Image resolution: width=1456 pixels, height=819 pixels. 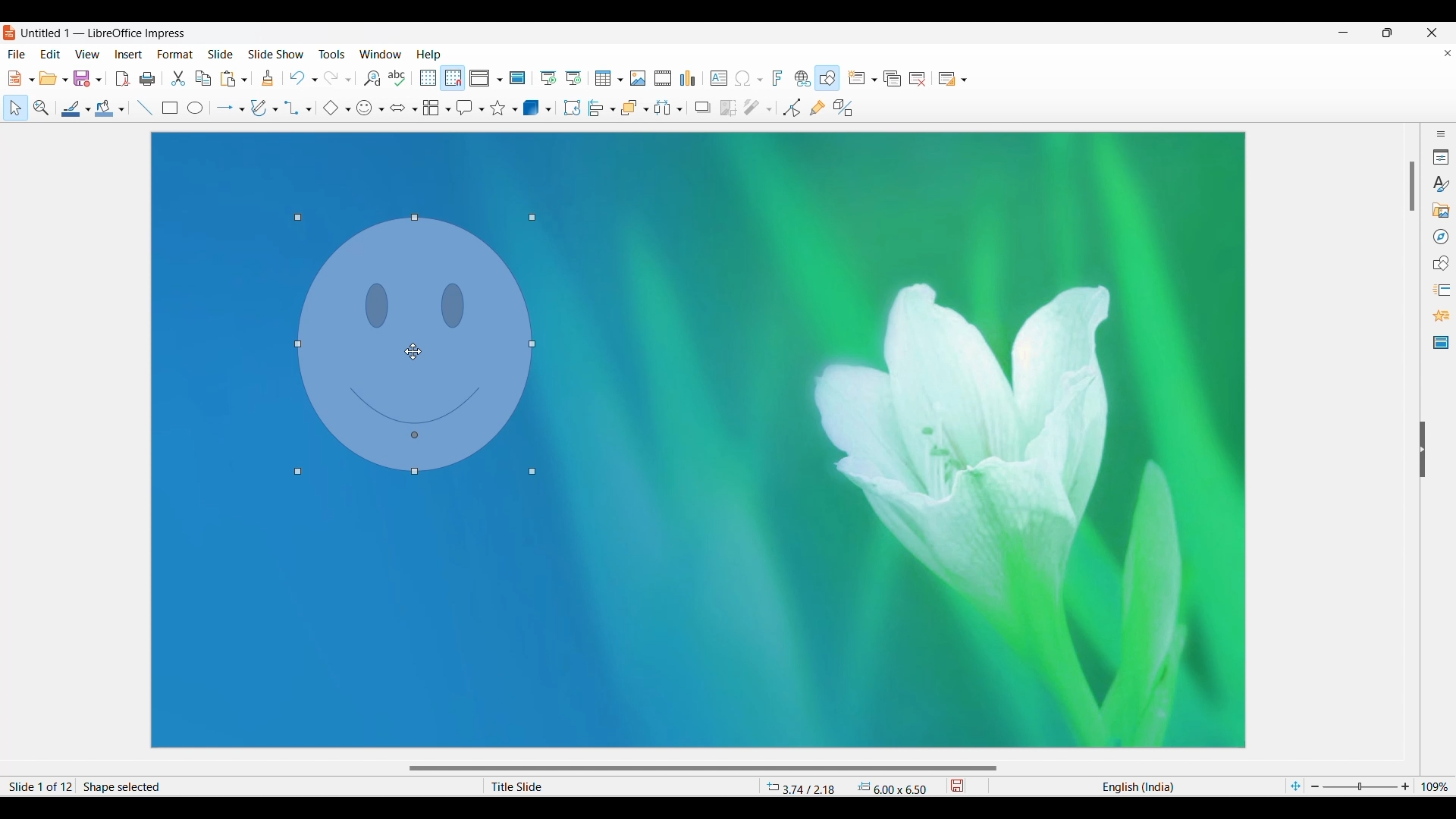 I want to click on save modifications to document, so click(x=959, y=786).